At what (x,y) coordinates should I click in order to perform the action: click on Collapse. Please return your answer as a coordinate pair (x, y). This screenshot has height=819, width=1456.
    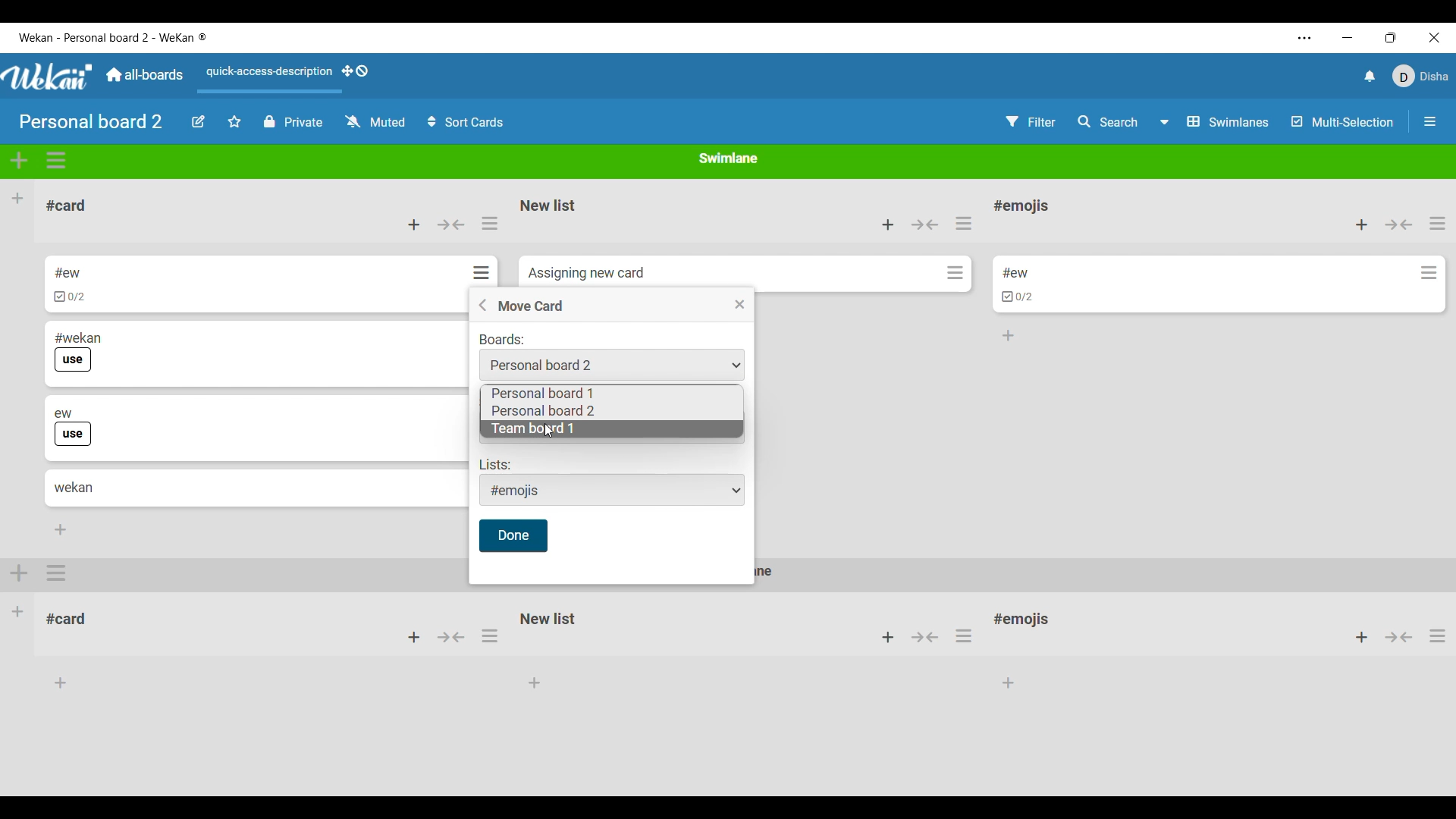
    Looking at the image, I should click on (1399, 224).